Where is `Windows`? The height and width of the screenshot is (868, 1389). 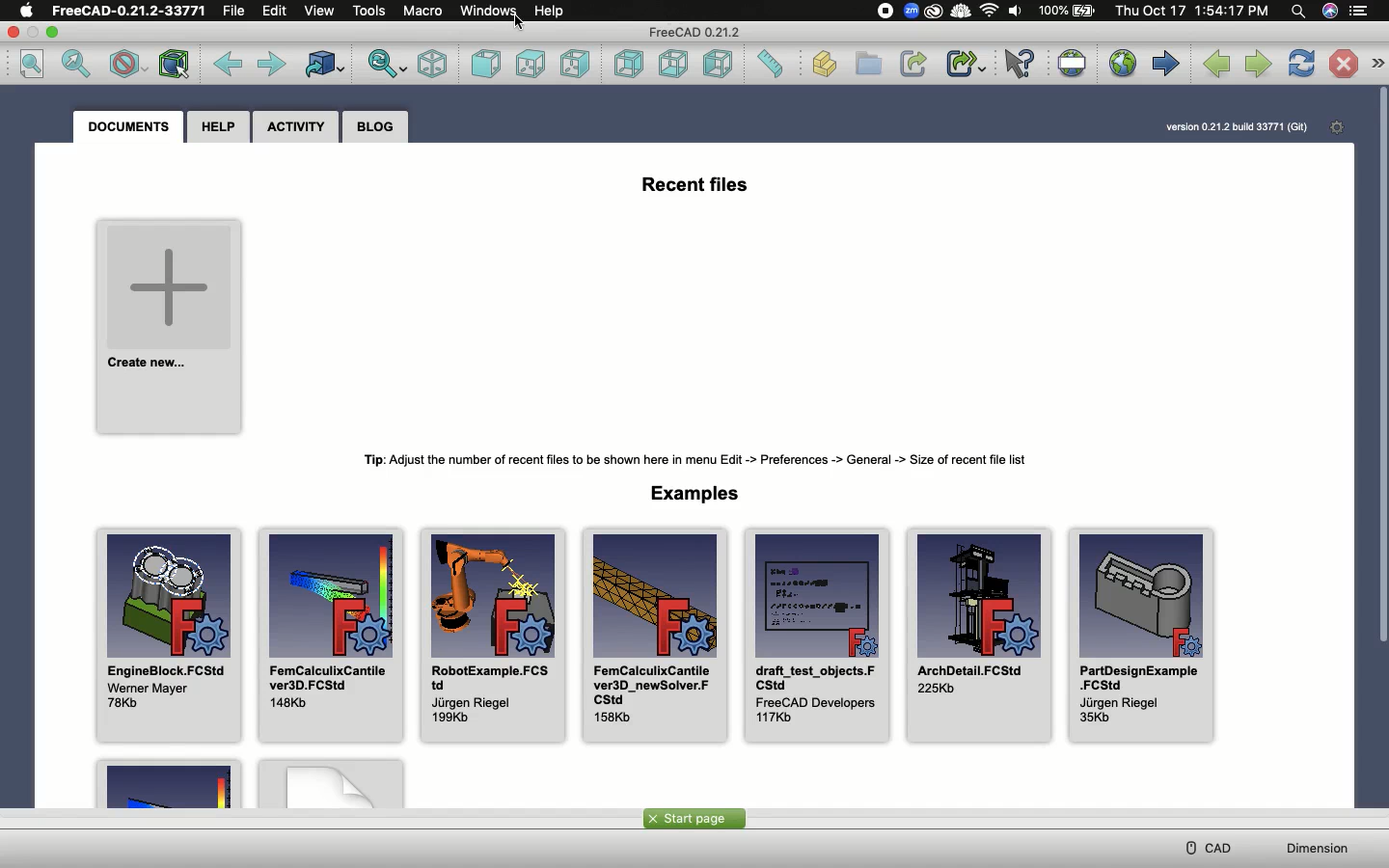 Windows is located at coordinates (489, 12).